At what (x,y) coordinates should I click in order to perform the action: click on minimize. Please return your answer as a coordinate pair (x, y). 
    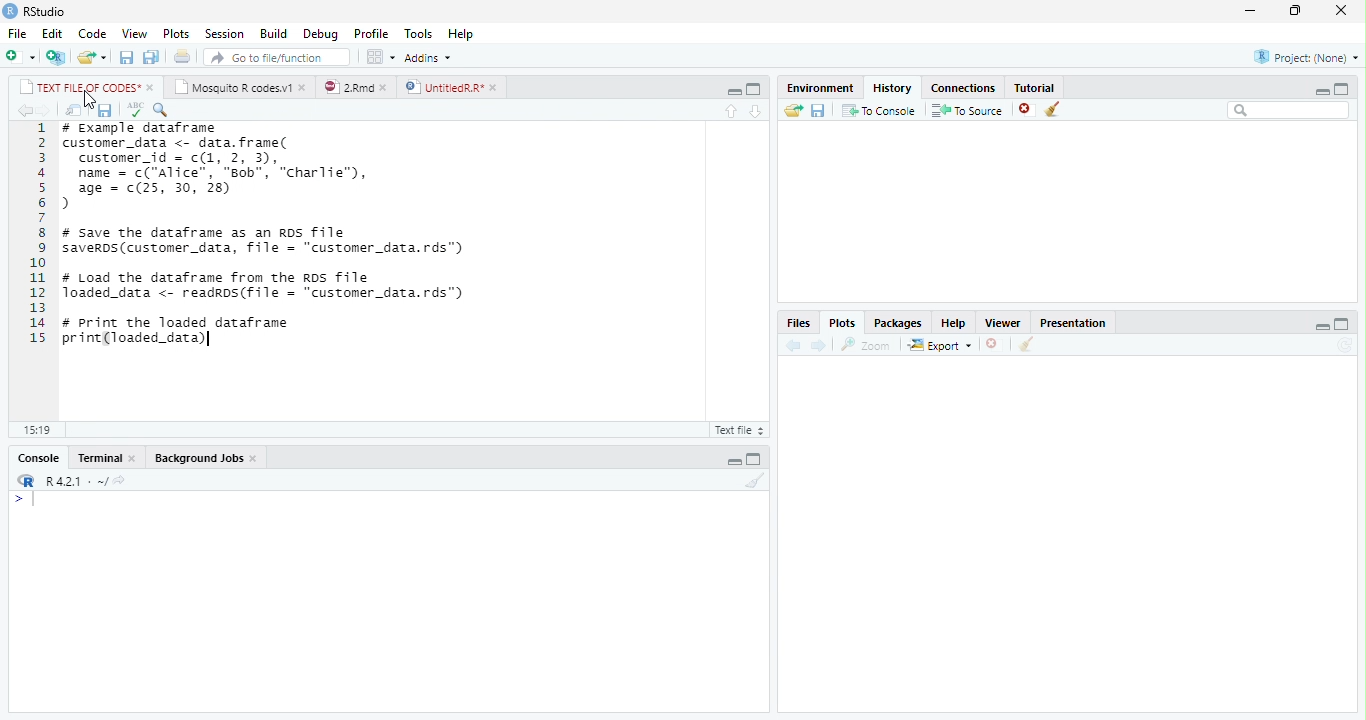
    Looking at the image, I should click on (1321, 91).